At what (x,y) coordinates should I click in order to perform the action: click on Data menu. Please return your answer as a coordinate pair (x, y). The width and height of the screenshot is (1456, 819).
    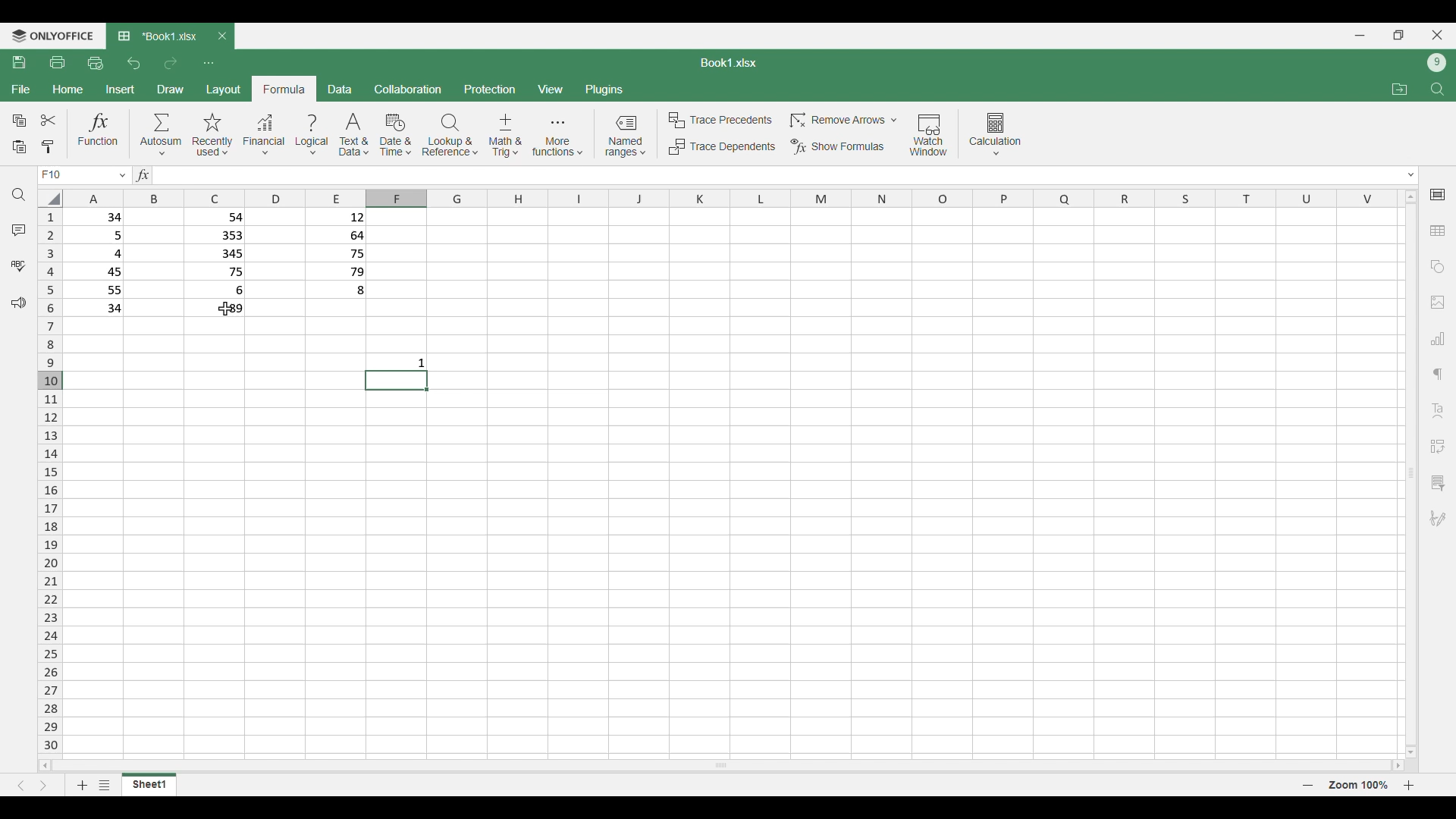
    Looking at the image, I should click on (340, 89).